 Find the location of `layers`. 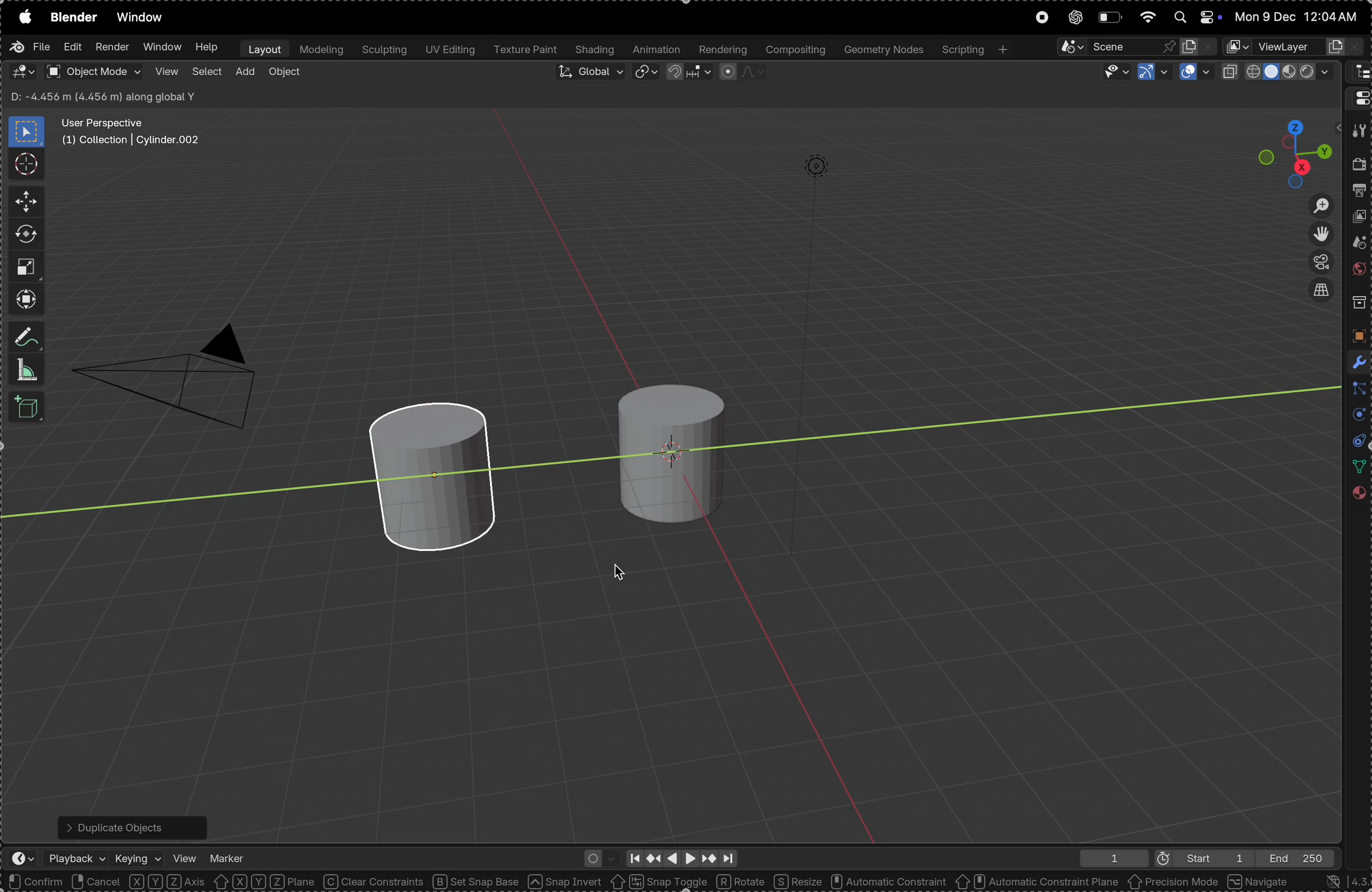

layers is located at coordinates (1355, 416).